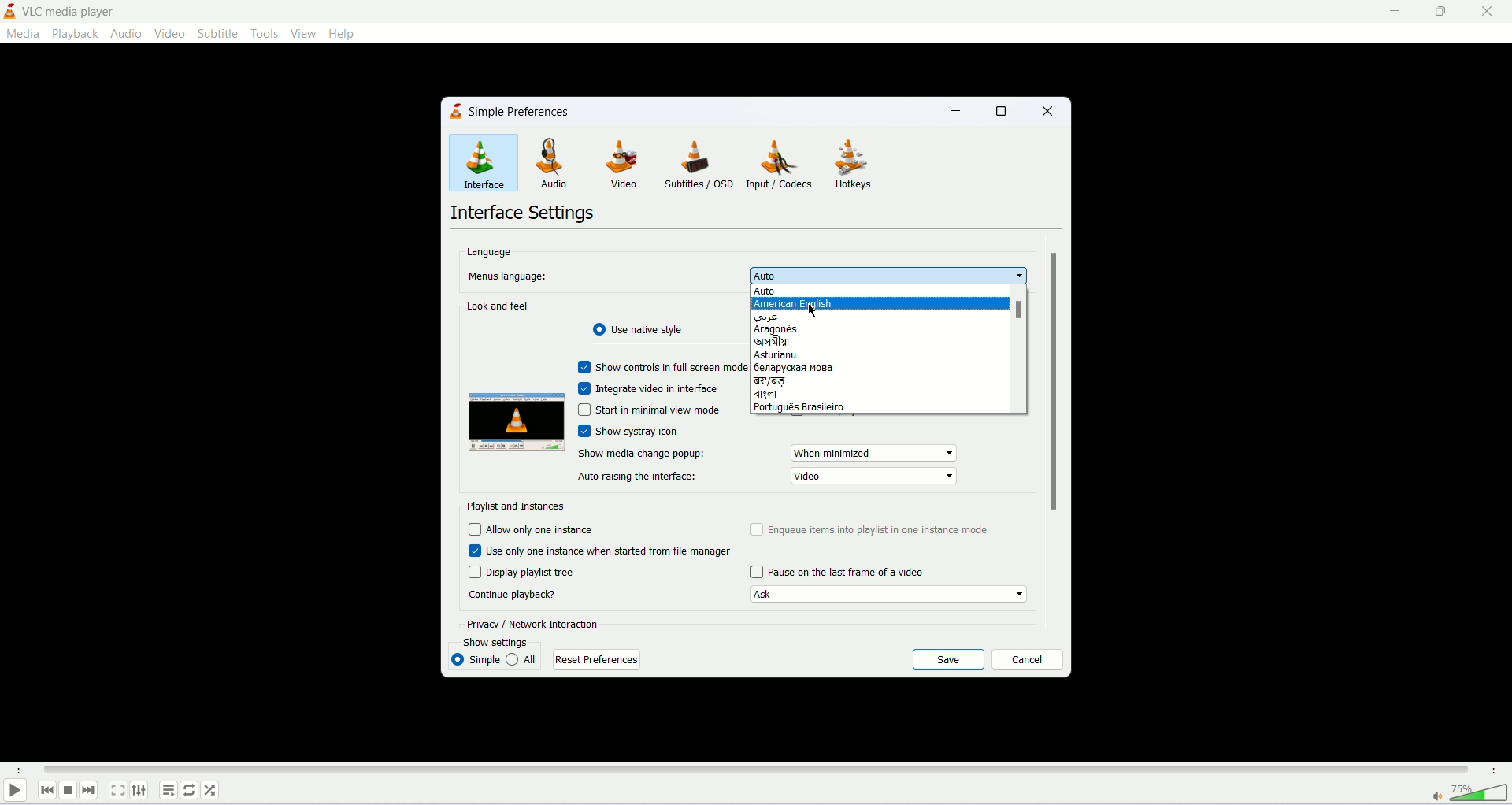 The width and height of the screenshot is (1512, 805). What do you see at coordinates (949, 660) in the screenshot?
I see `save` at bounding box center [949, 660].